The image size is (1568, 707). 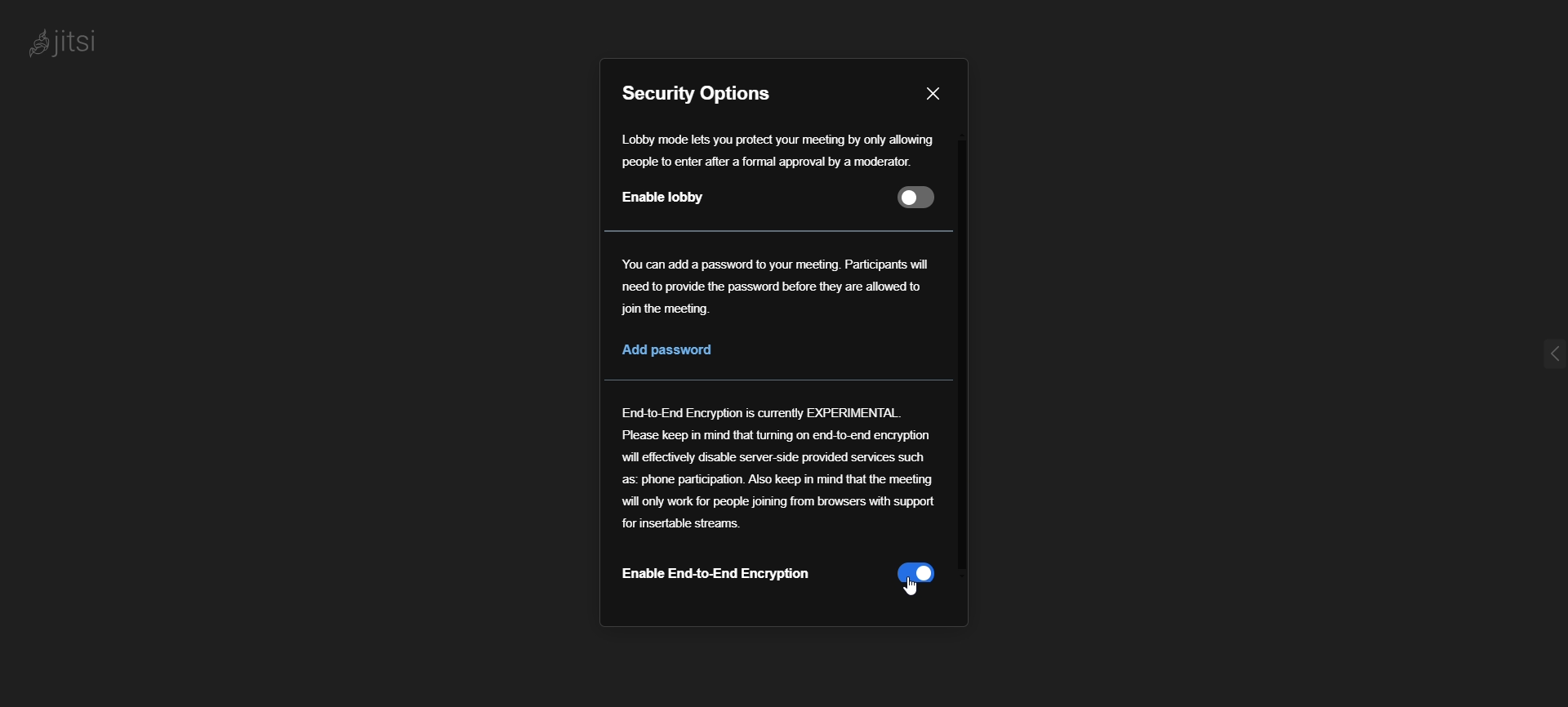 What do you see at coordinates (702, 92) in the screenshot?
I see `security options` at bounding box center [702, 92].